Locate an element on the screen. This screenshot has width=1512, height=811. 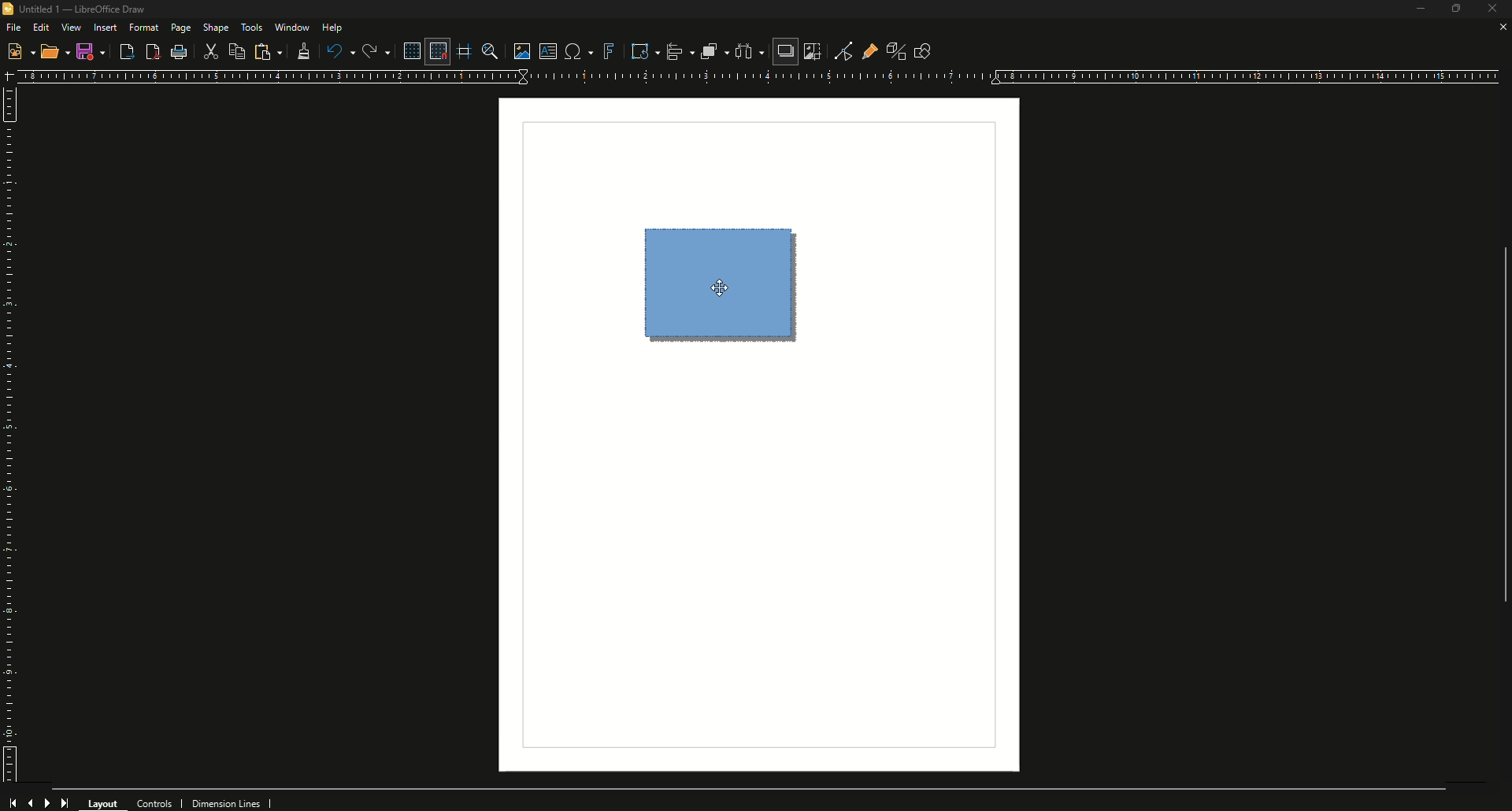
Export is located at coordinates (126, 53).